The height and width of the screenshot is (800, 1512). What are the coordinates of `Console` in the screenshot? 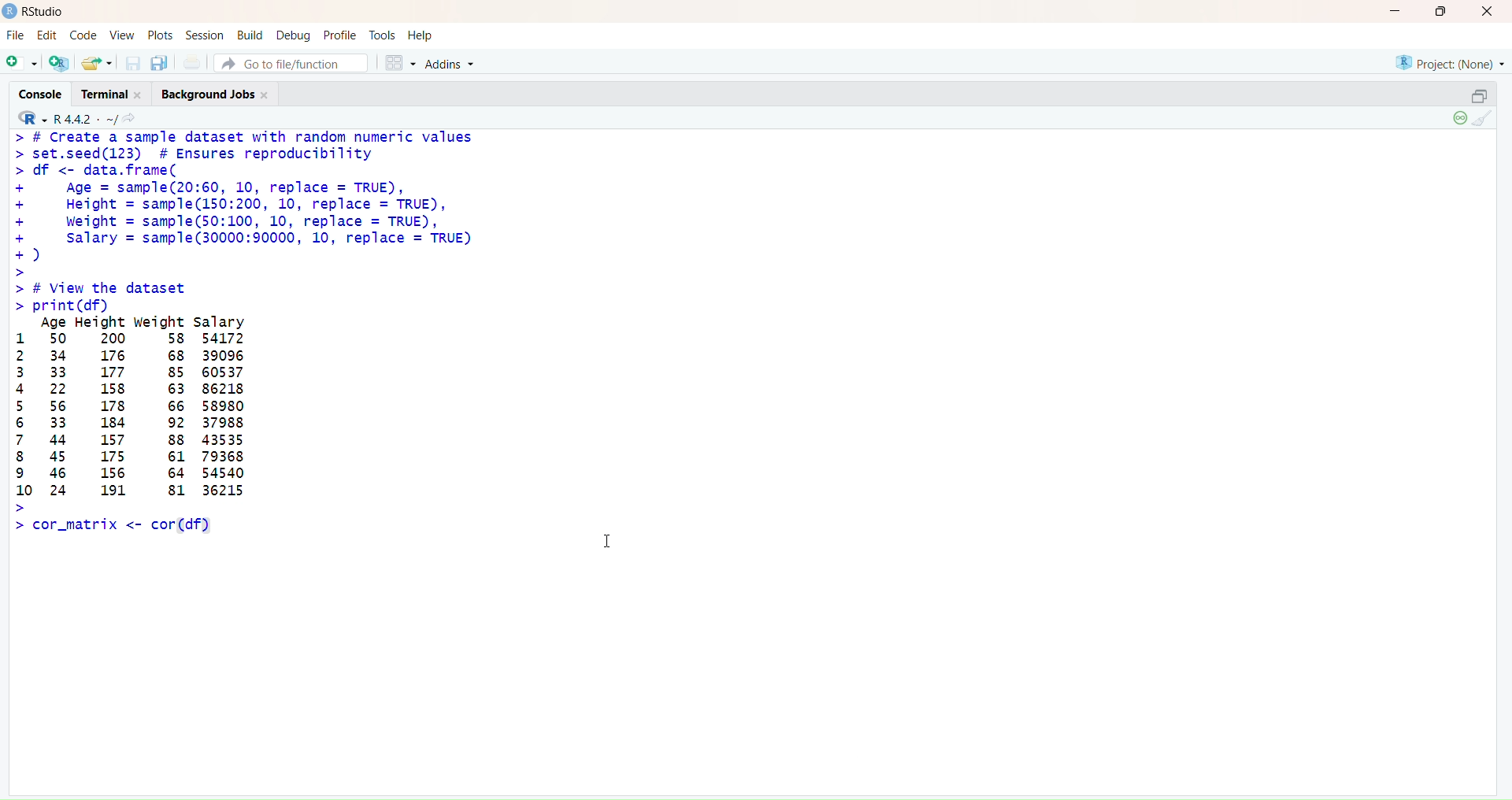 It's located at (46, 93).